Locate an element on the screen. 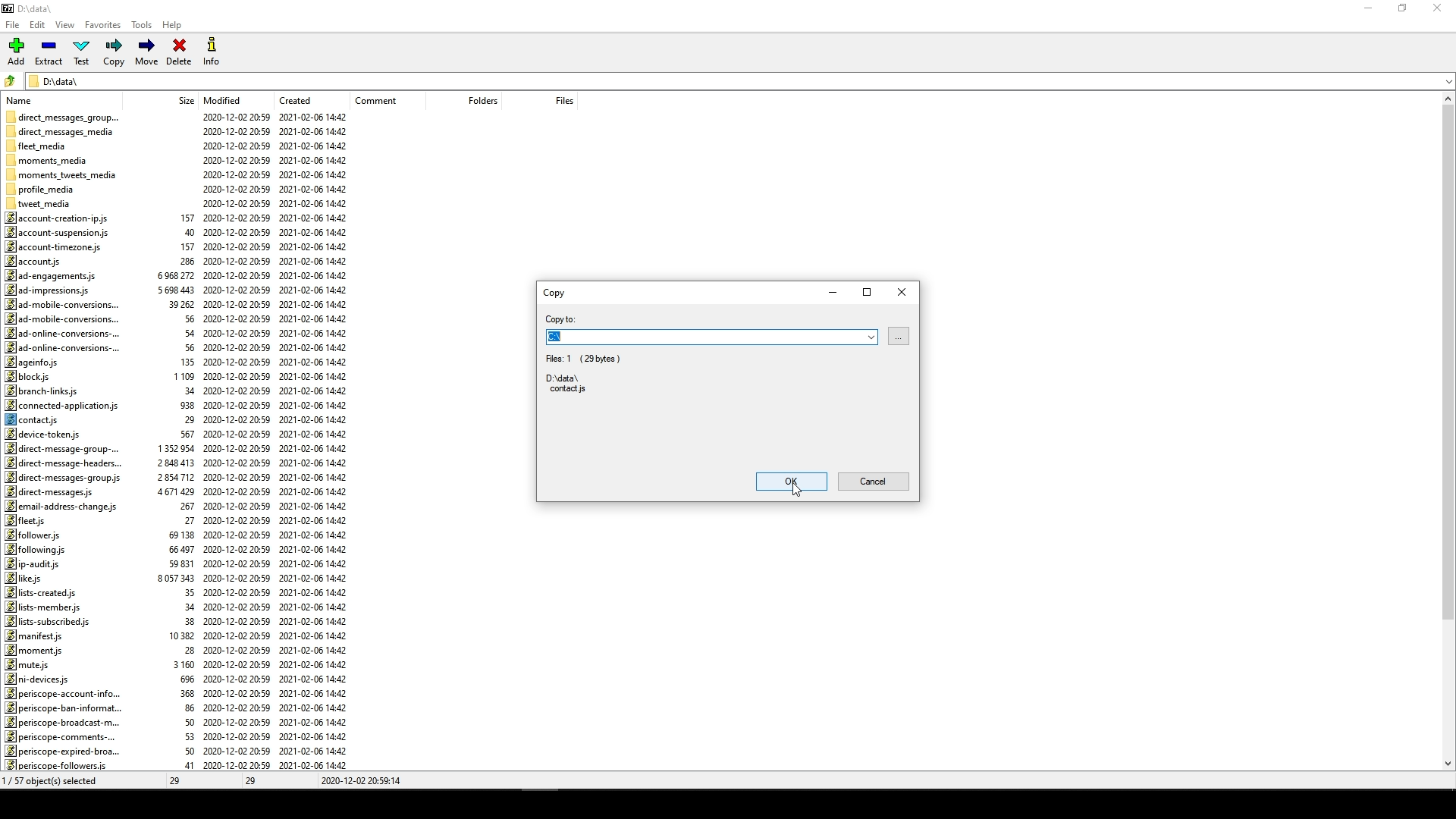  restore down is located at coordinates (1407, 9).